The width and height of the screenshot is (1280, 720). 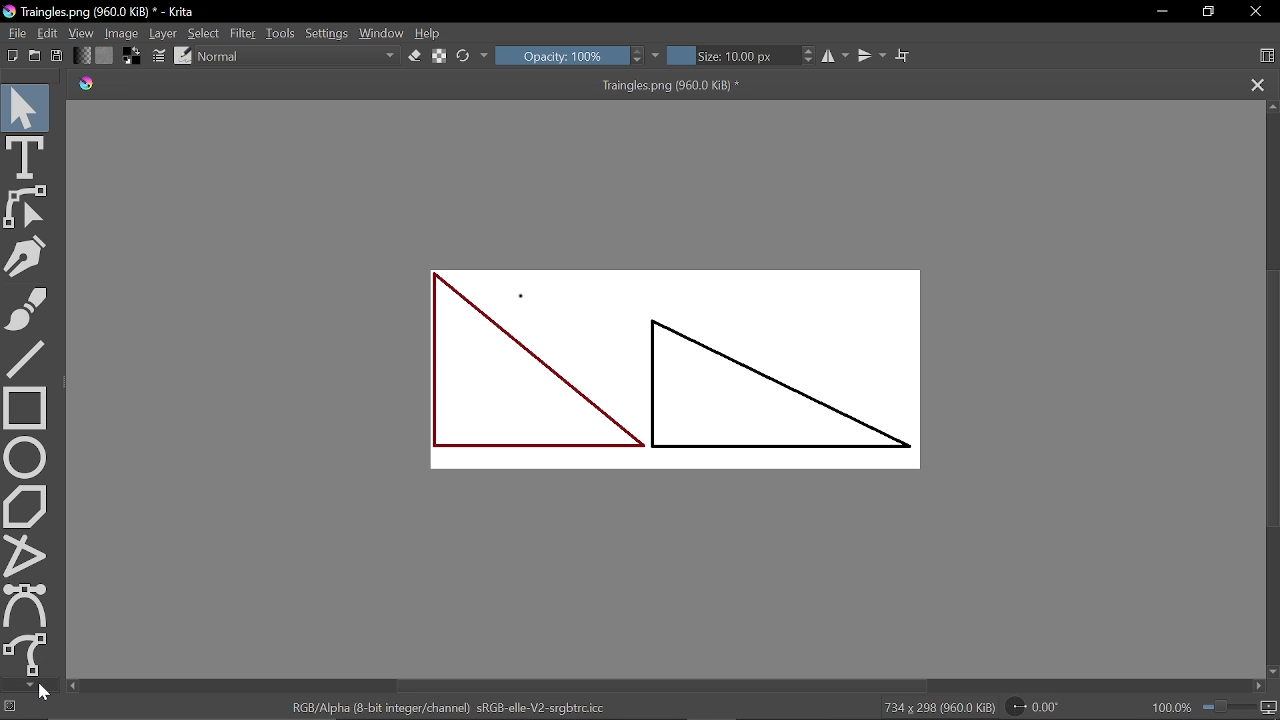 I want to click on Edit, so click(x=47, y=32).